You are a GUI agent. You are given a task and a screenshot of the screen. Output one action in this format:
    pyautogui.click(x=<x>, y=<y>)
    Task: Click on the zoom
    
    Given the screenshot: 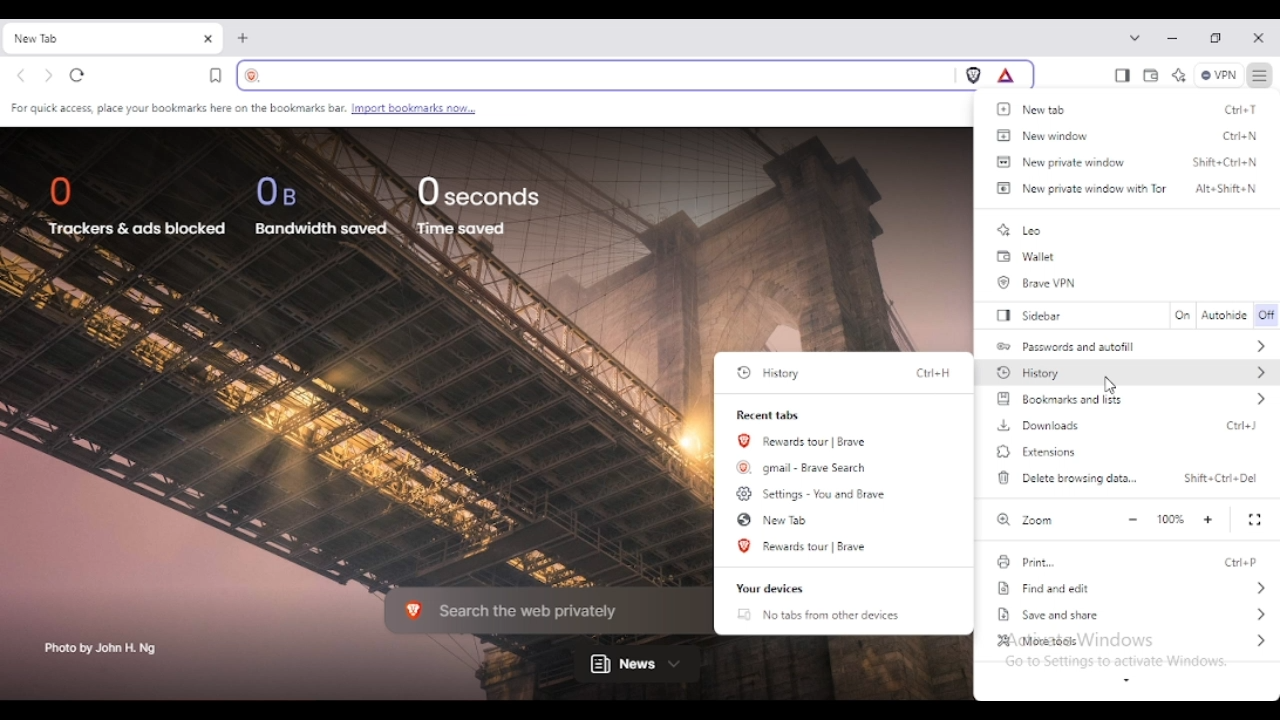 What is the action you would take?
    pyautogui.click(x=1023, y=519)
    